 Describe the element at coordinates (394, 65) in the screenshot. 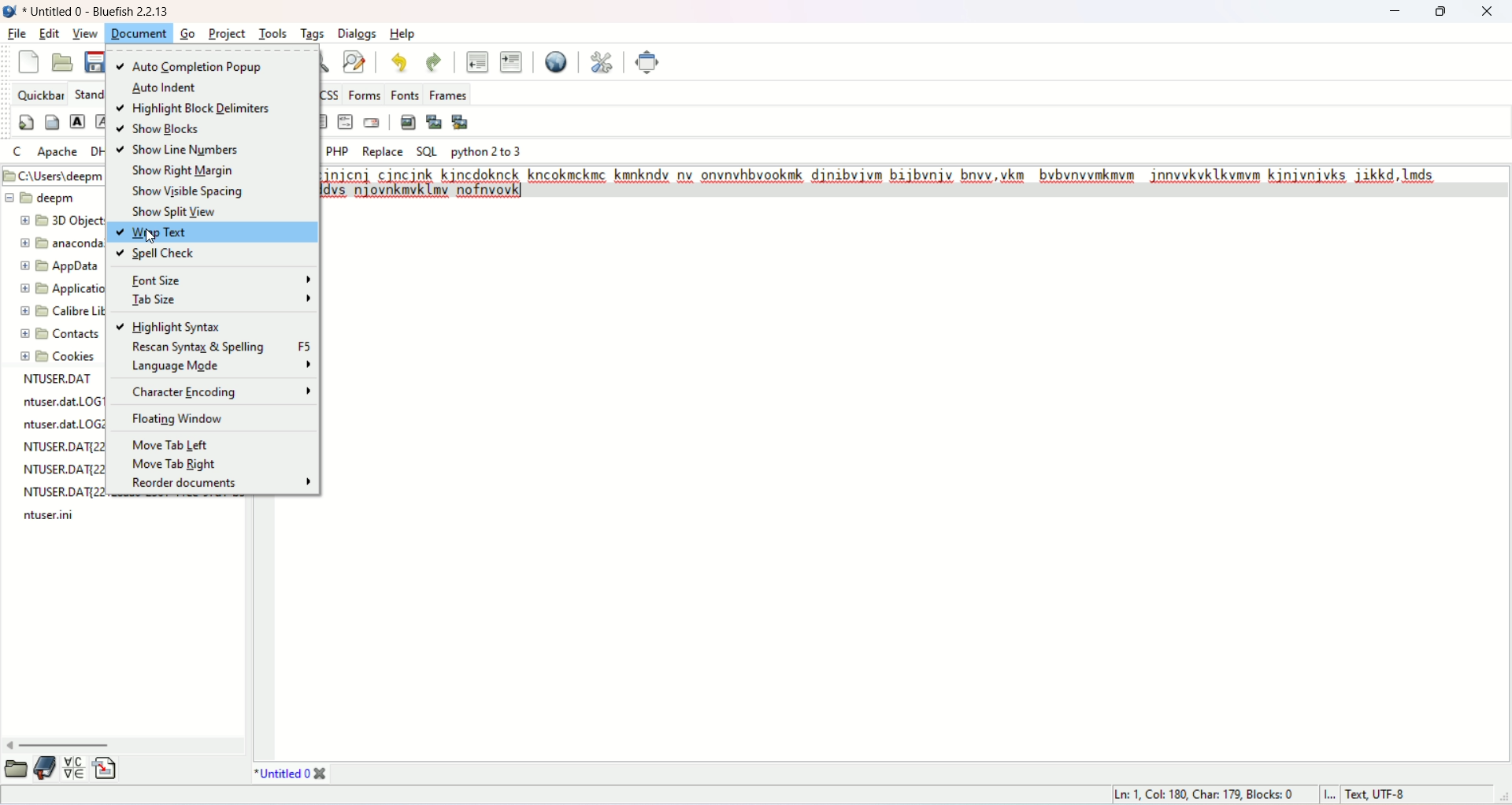

I see `undo` at that location.